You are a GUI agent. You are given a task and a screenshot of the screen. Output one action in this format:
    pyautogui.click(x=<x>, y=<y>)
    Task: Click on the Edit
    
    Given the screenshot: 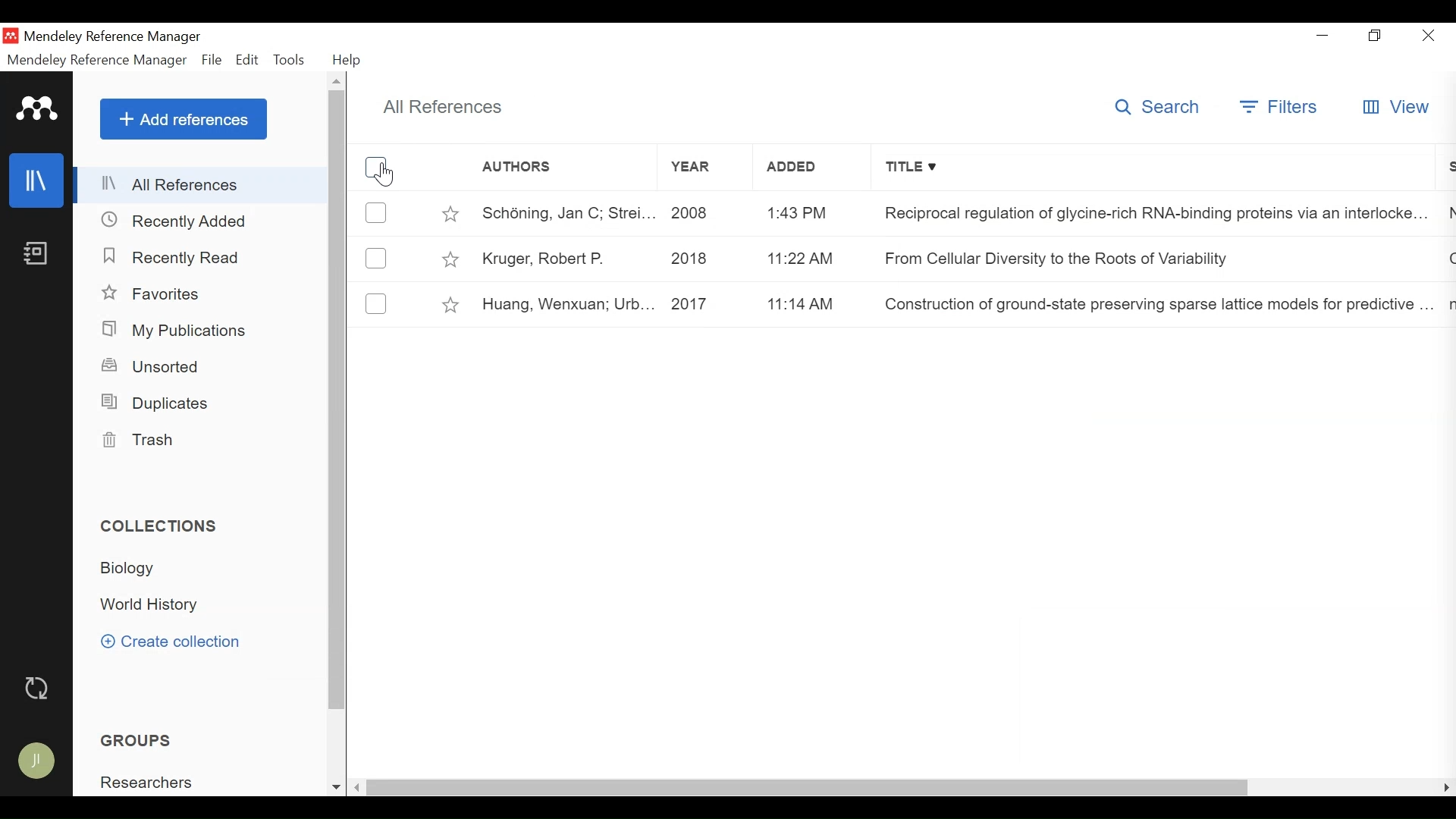 What is the action you would take?
    pyautogui.click(x=246, y=60)
    